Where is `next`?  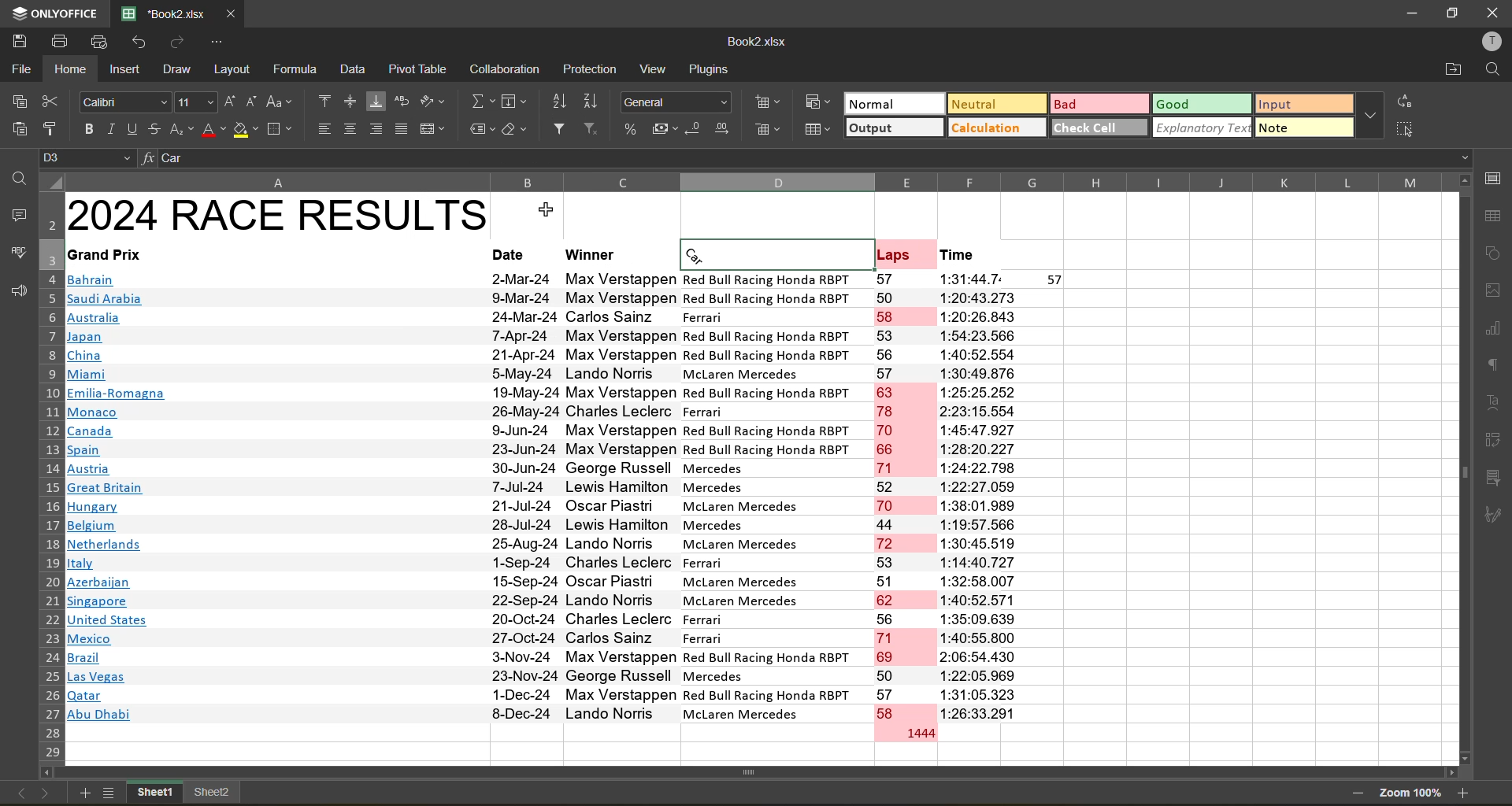
next is located at coordinates (46, 793).